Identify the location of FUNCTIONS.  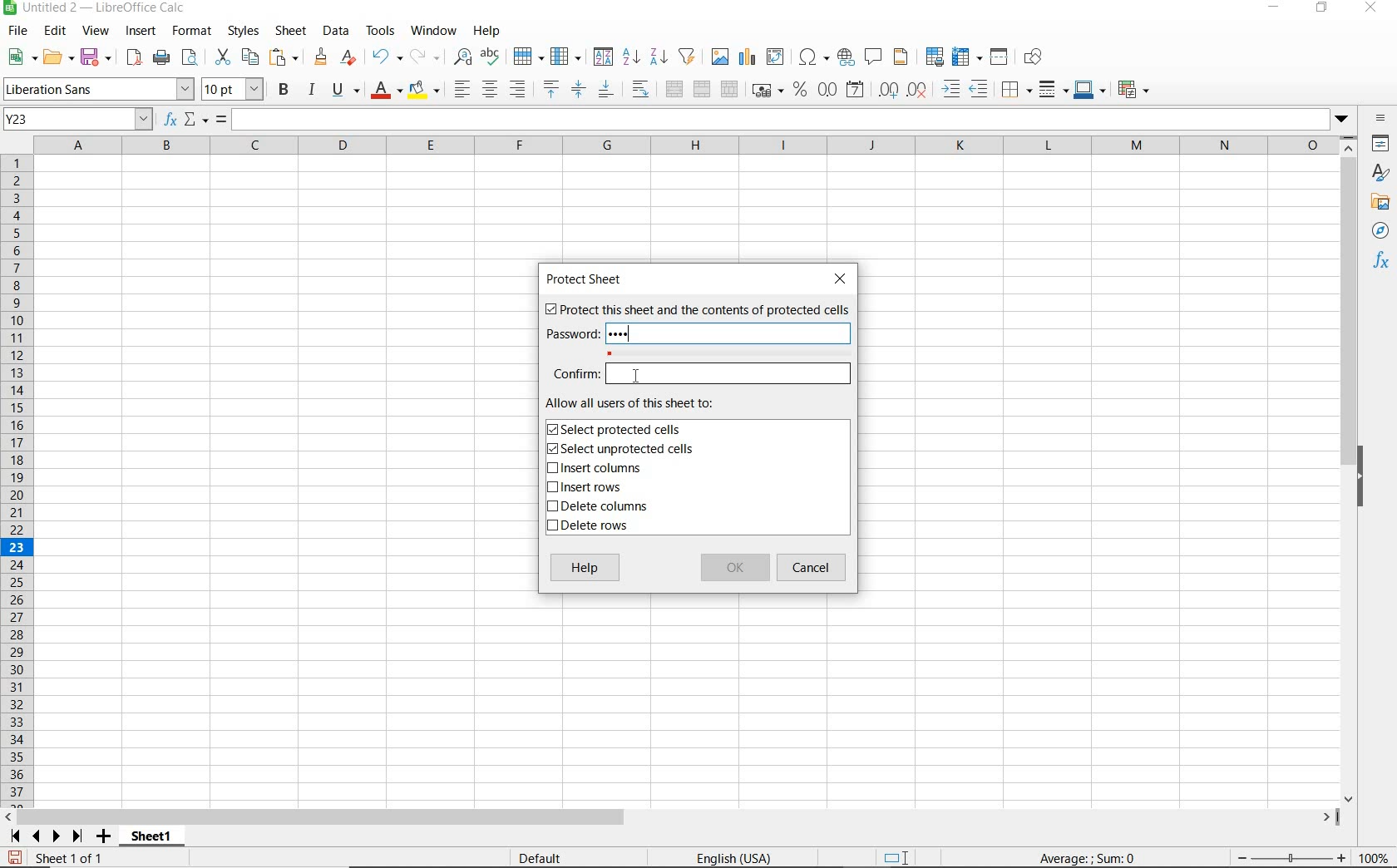
(1382, 263).